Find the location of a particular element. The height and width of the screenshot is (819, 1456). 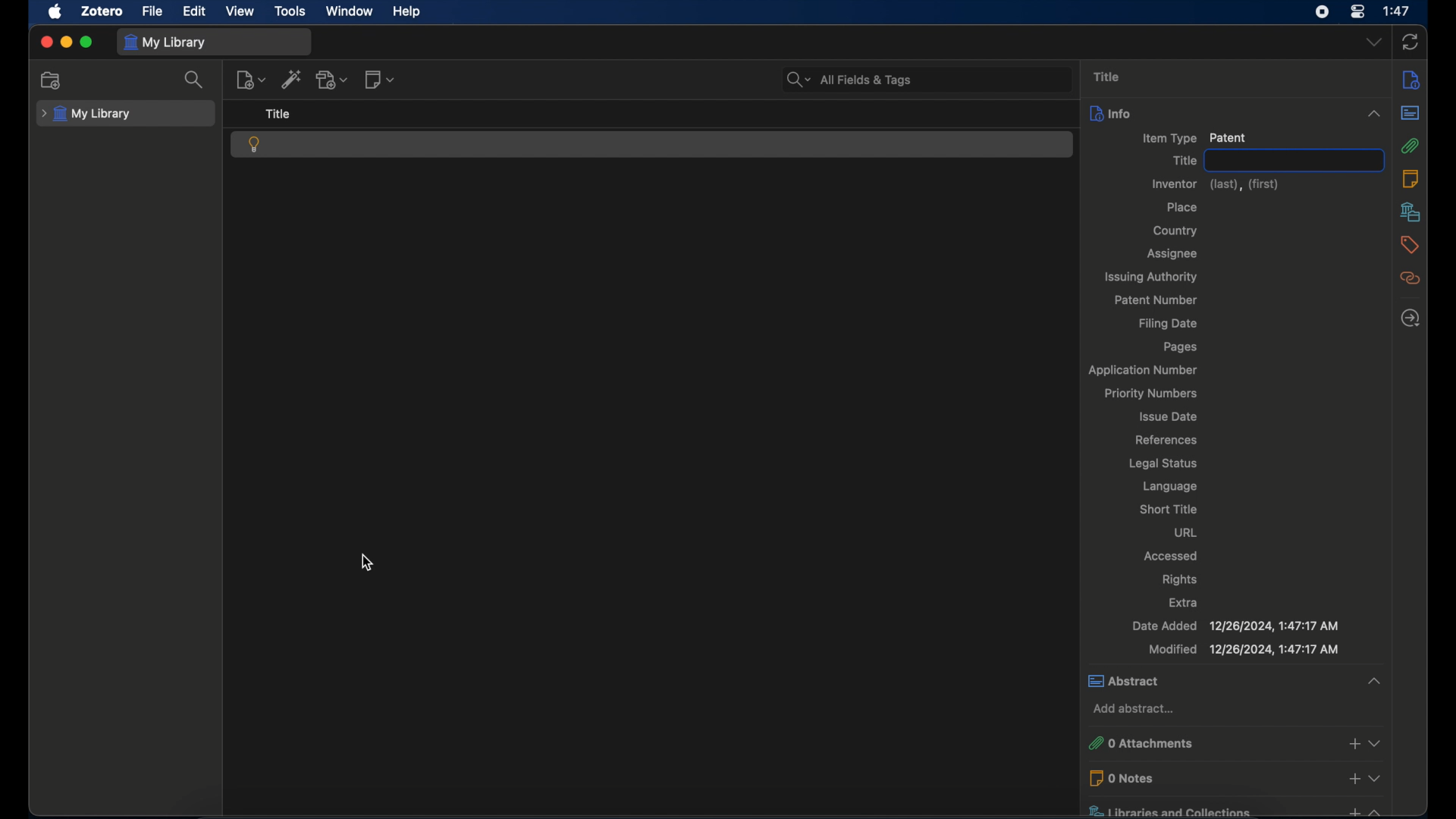

dropdown is located at coordinates (1374, 42).